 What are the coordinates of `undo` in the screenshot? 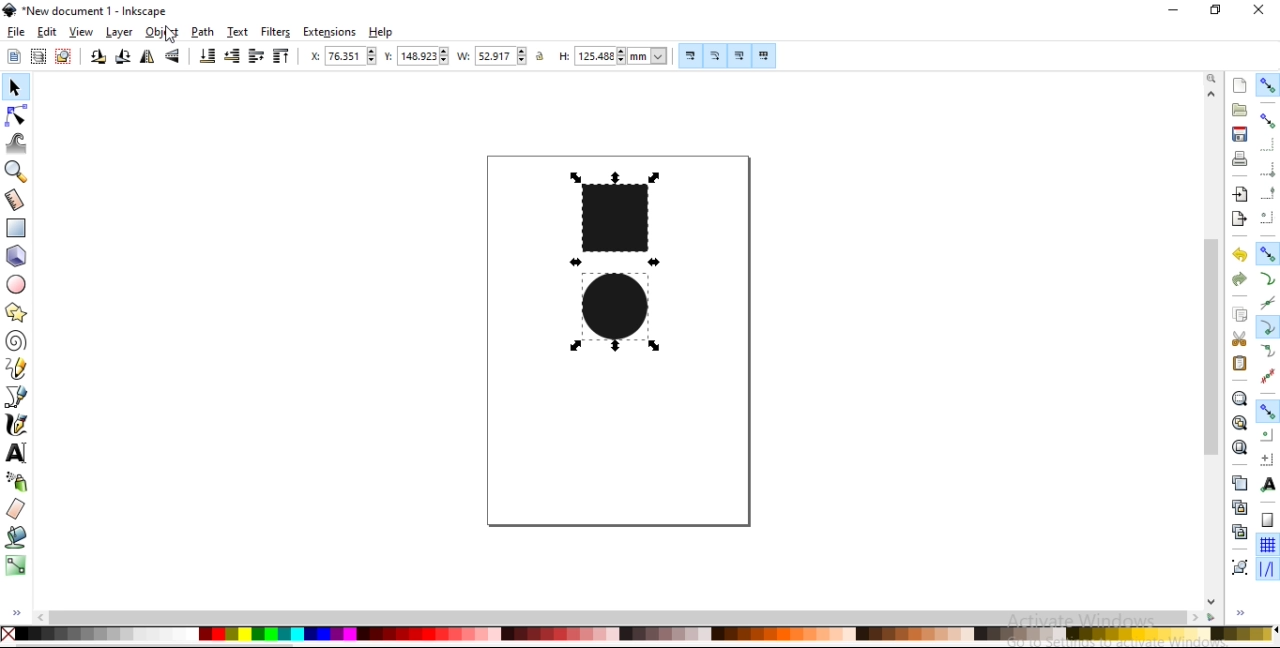 It's located at (1239, 255).